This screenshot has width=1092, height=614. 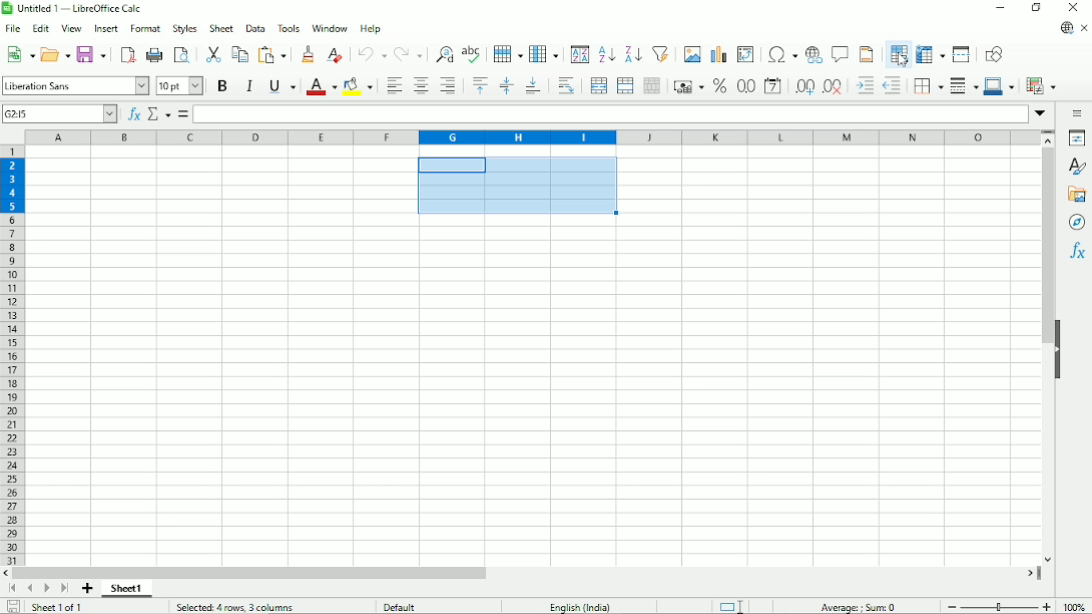 I want to click on Bold, so click(x=221, y=87).